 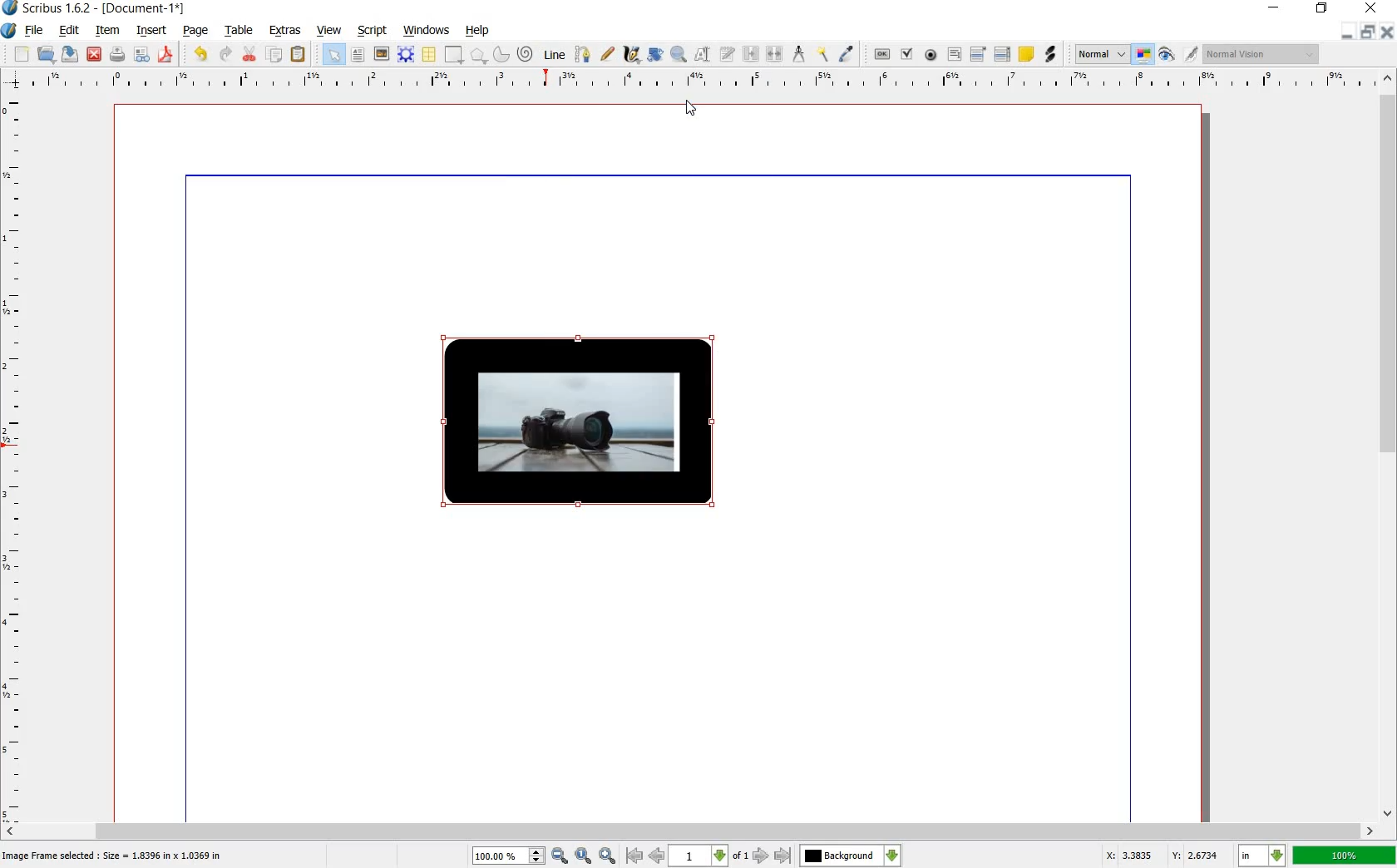 I want to click on go to antepenultimate page, so click(x=634, y=856).